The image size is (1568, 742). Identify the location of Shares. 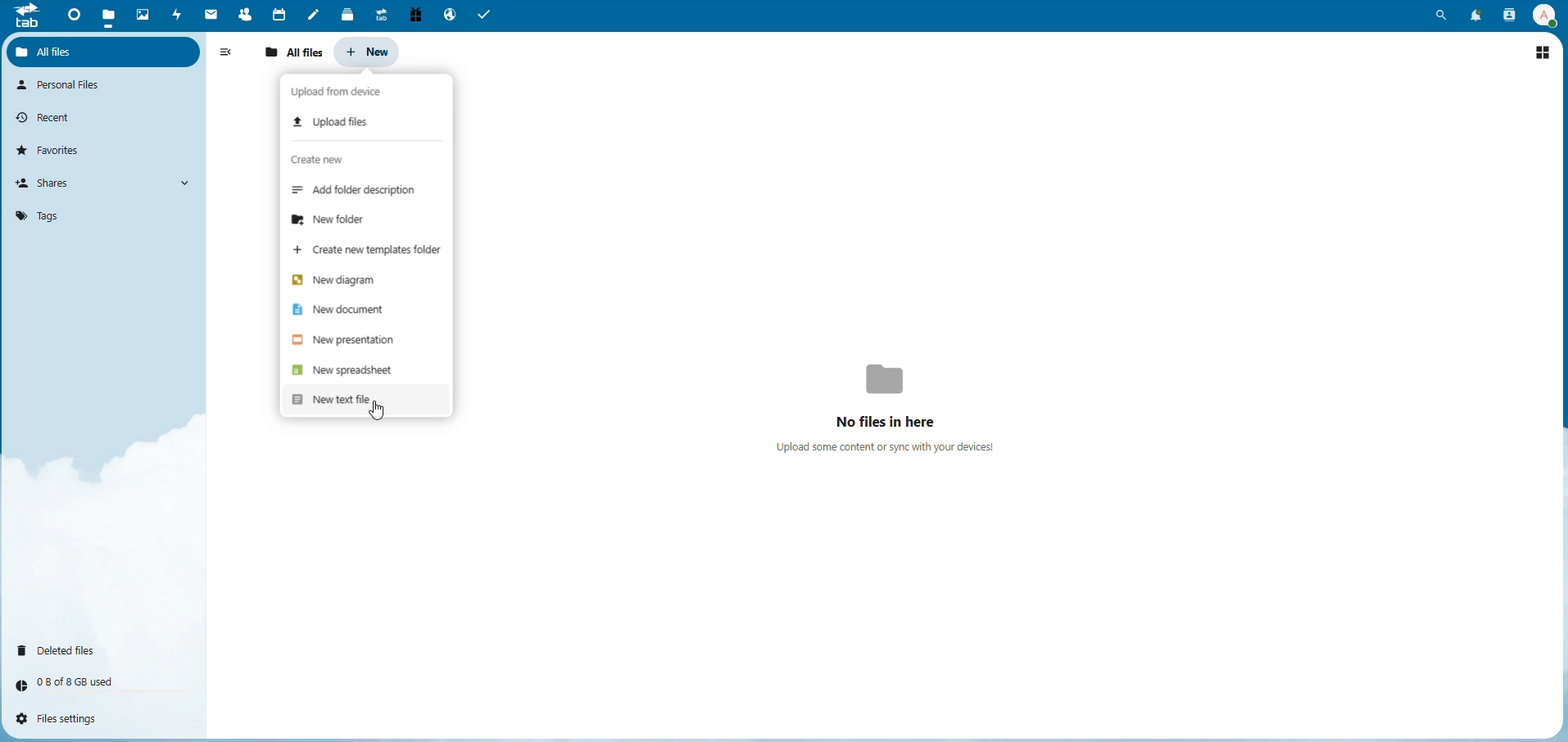
(51, 183).